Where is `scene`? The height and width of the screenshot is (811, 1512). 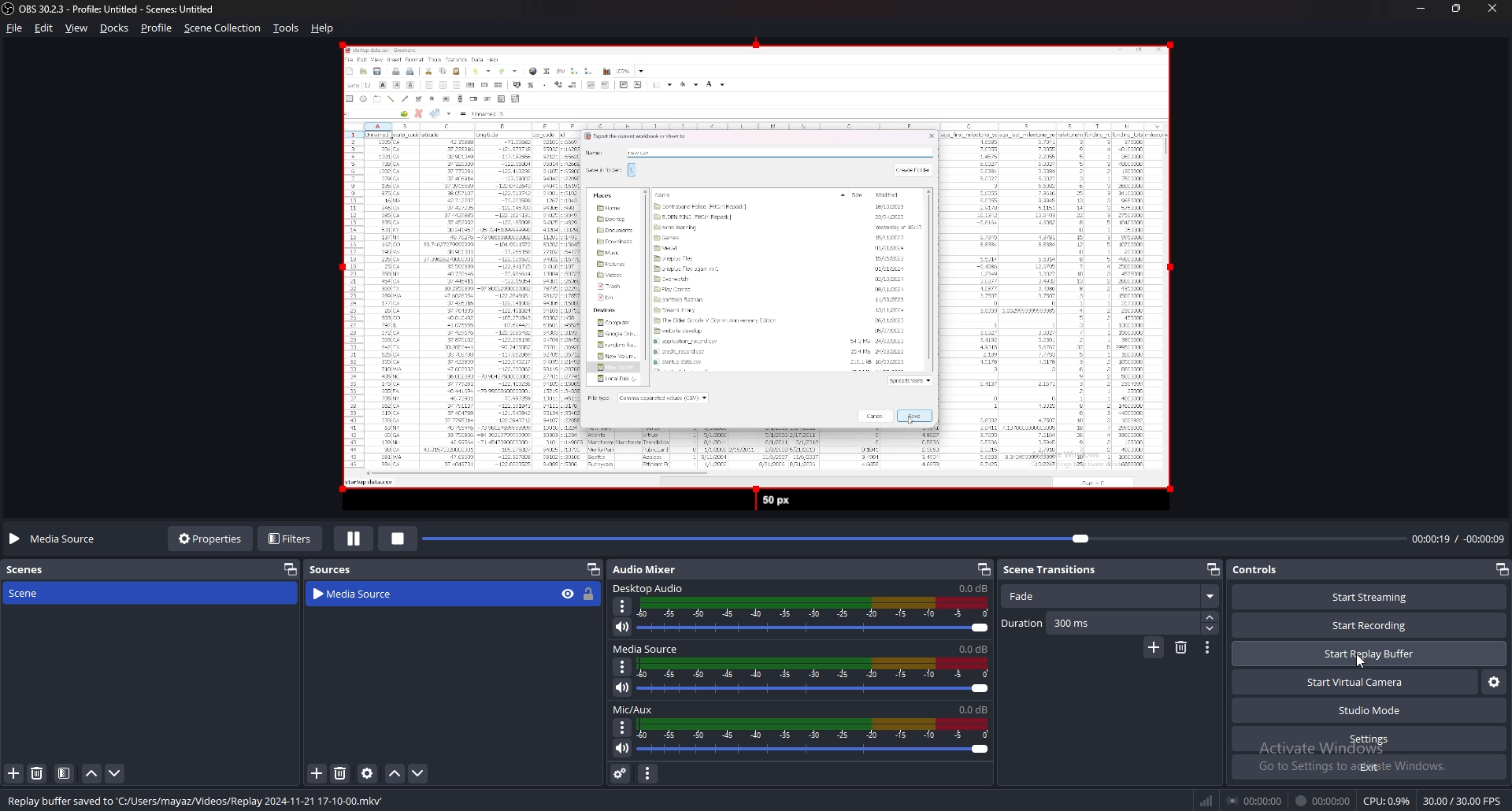
scene is located at coordinates (30, 593).